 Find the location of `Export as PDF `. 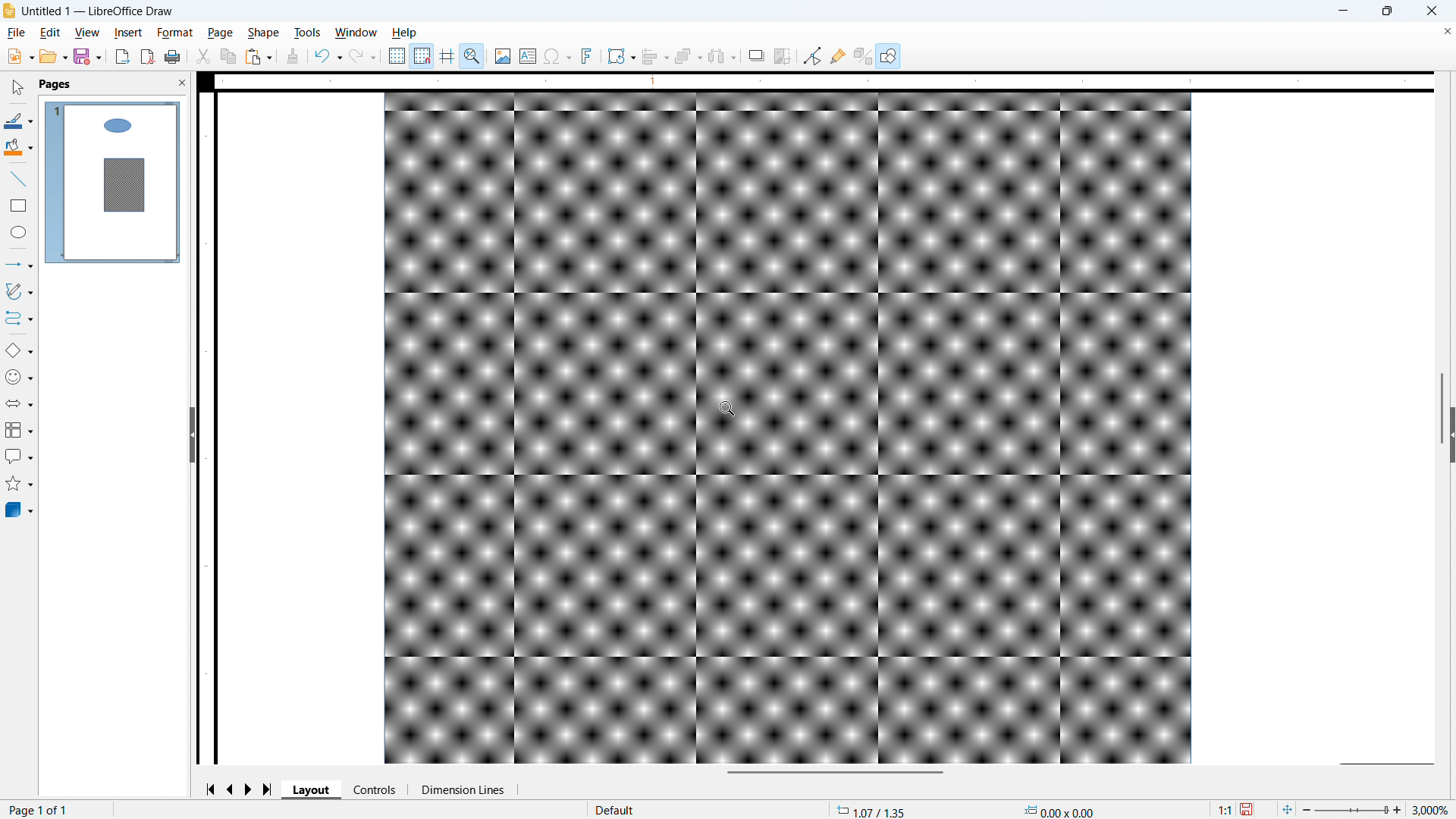

Export as PDF  is located at coordinates (147, 57).